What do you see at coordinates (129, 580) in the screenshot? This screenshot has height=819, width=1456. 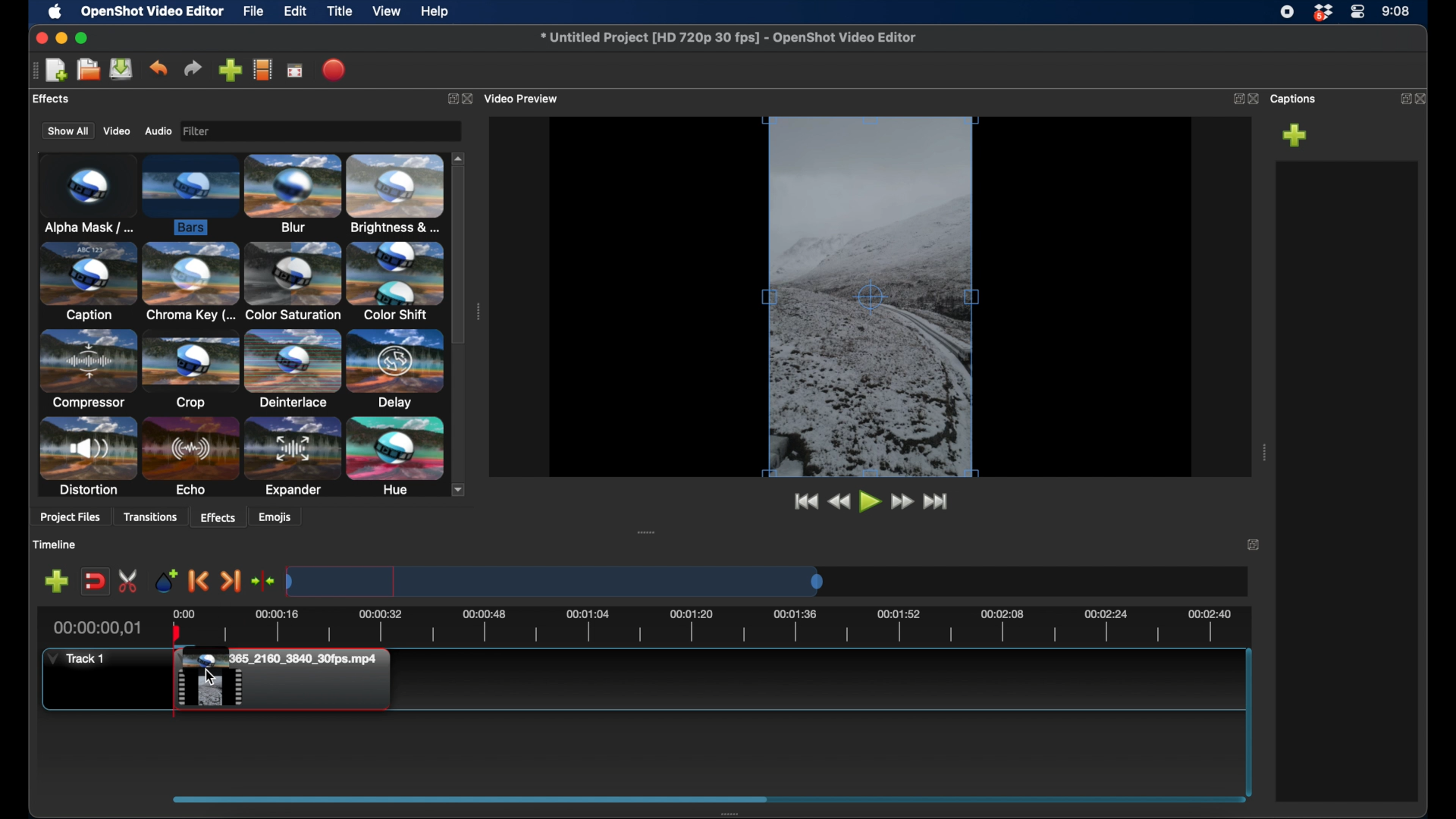 I see `enable razor` at bounding box center [129, 580].